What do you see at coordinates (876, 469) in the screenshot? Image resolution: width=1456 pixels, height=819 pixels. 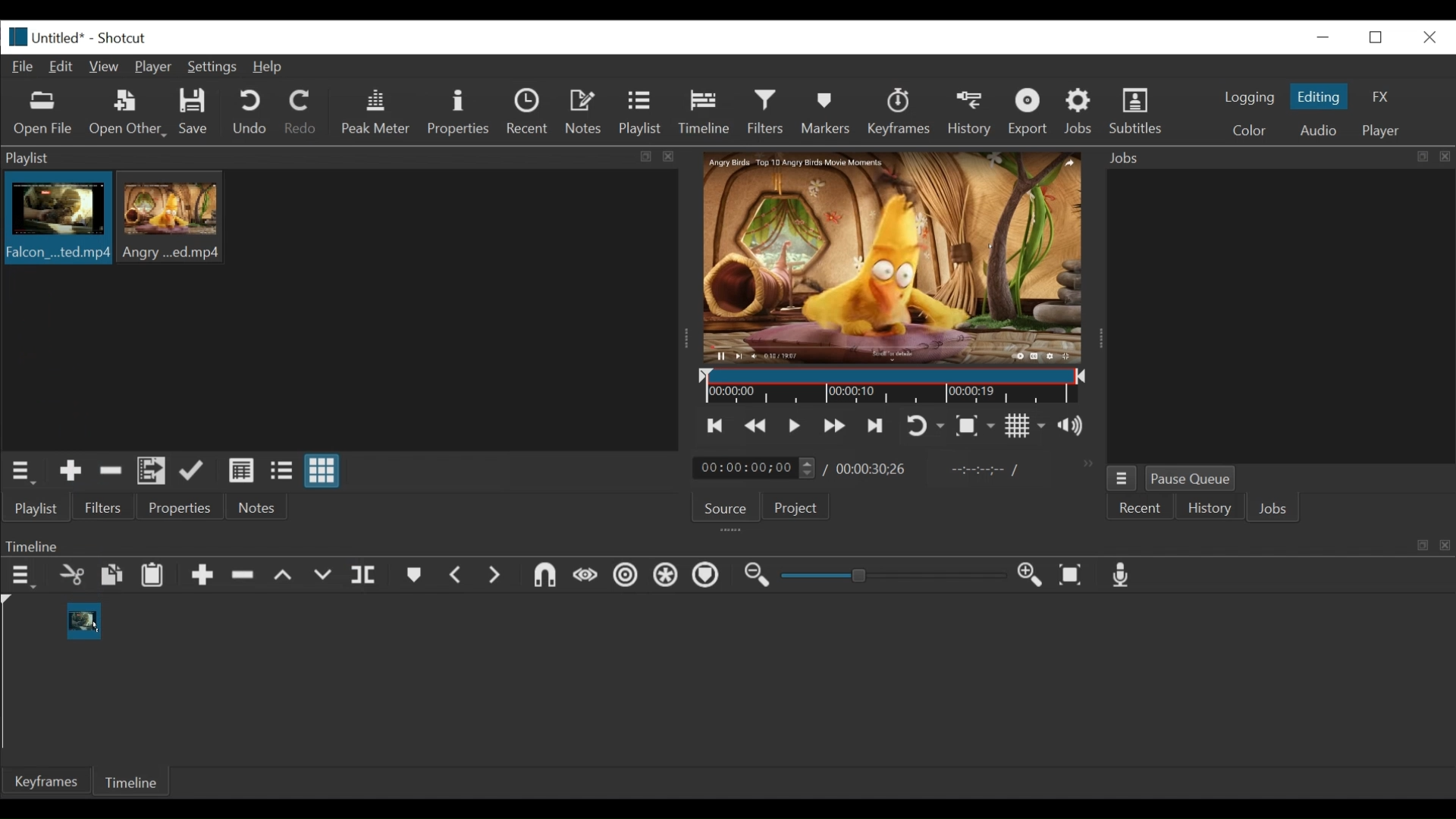 I see `Total duration` at bounding box center [876, 469].